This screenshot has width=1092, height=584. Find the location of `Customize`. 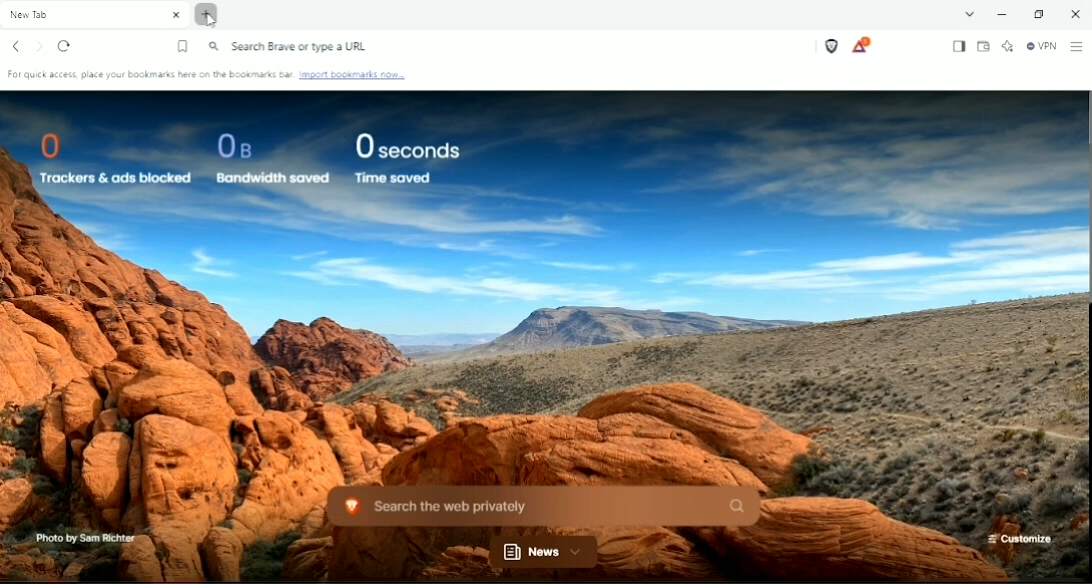

Customize is located at coordinates (1022, 538).